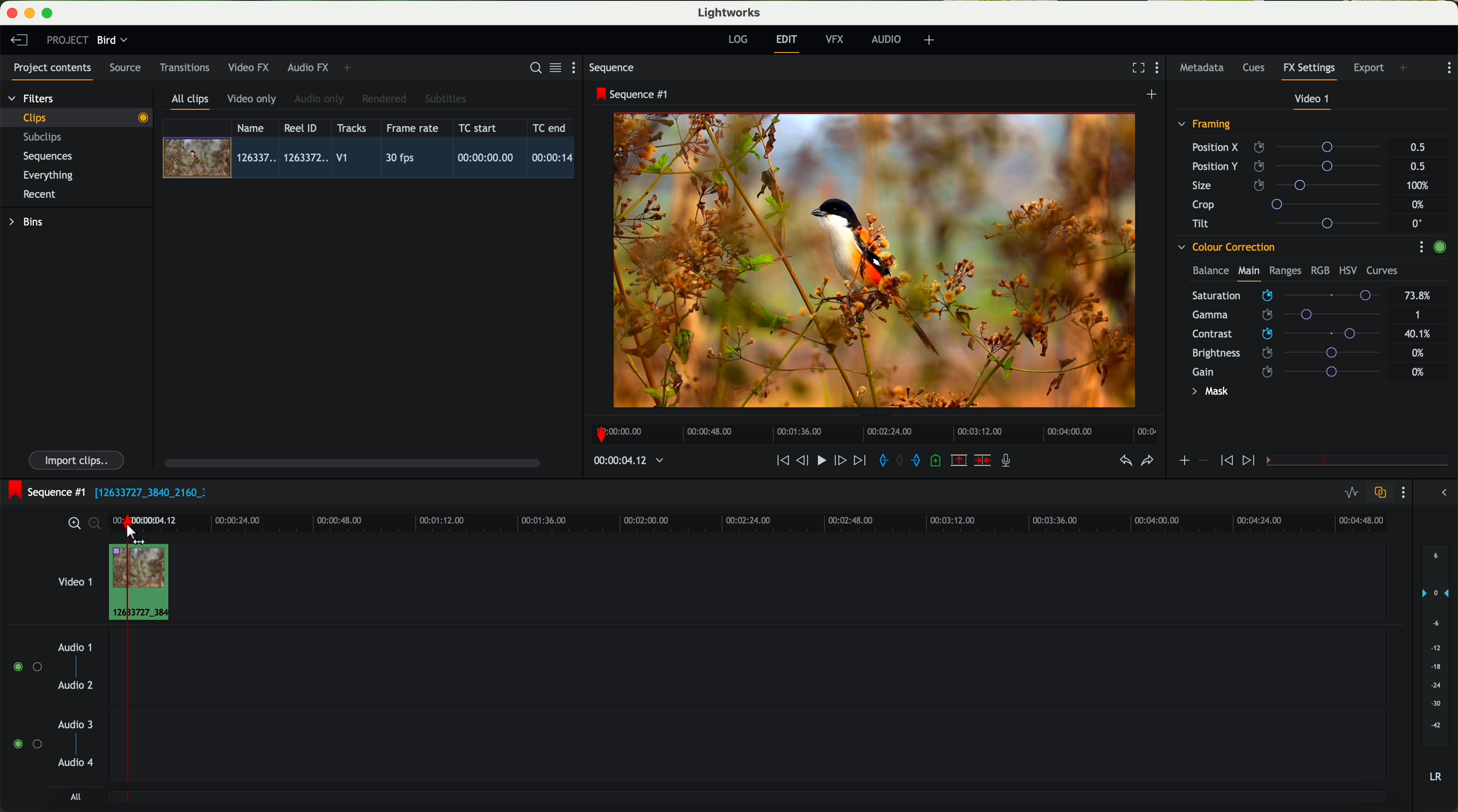 Image resolution: width=1458 pixels, height=812 pixels. I want to click on log, so click(737, 40).